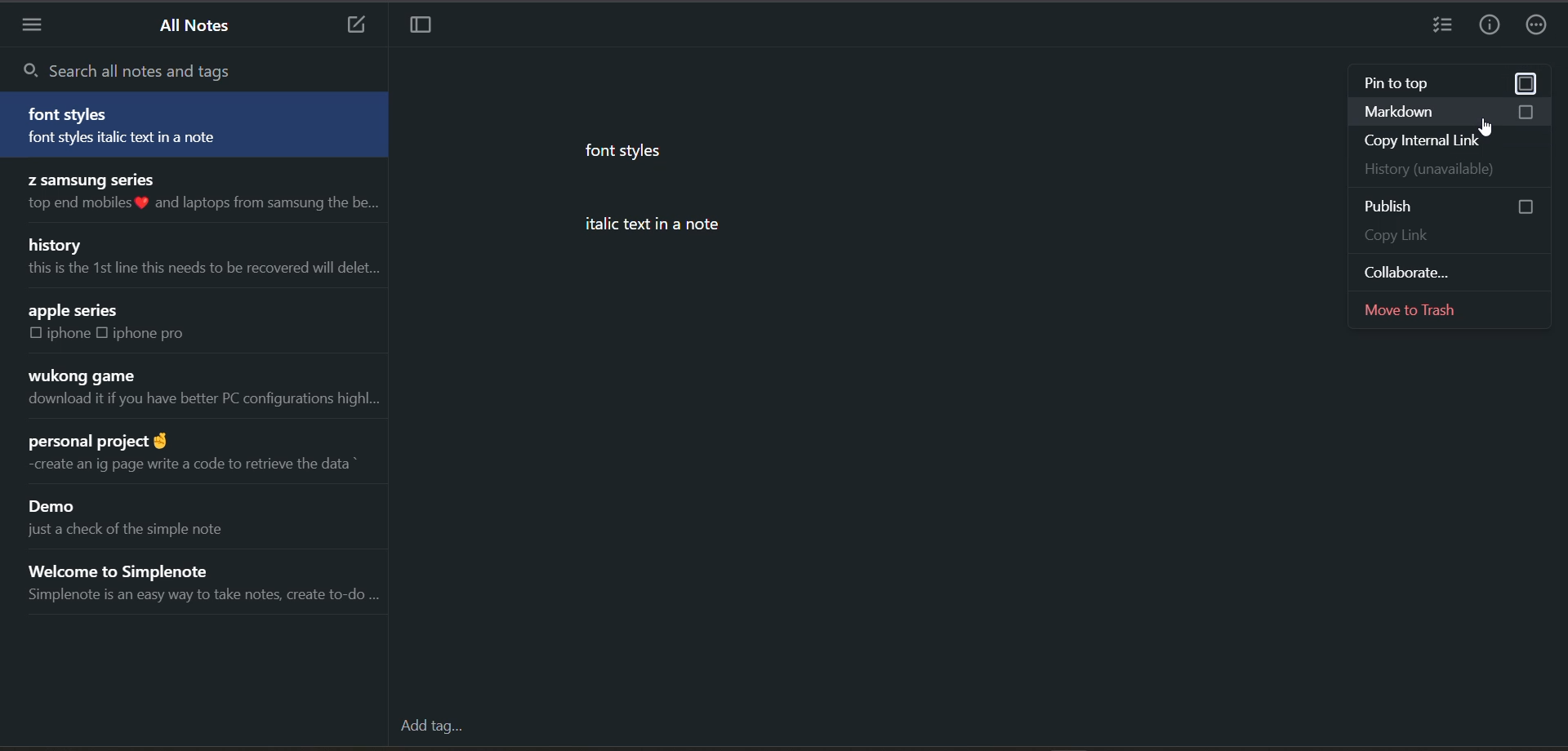 The image size is (1568, 751). What do you see at coordinates (1443, 26) in the screenshot?
I see `insert checklist` at bounding box center [1443, 26].